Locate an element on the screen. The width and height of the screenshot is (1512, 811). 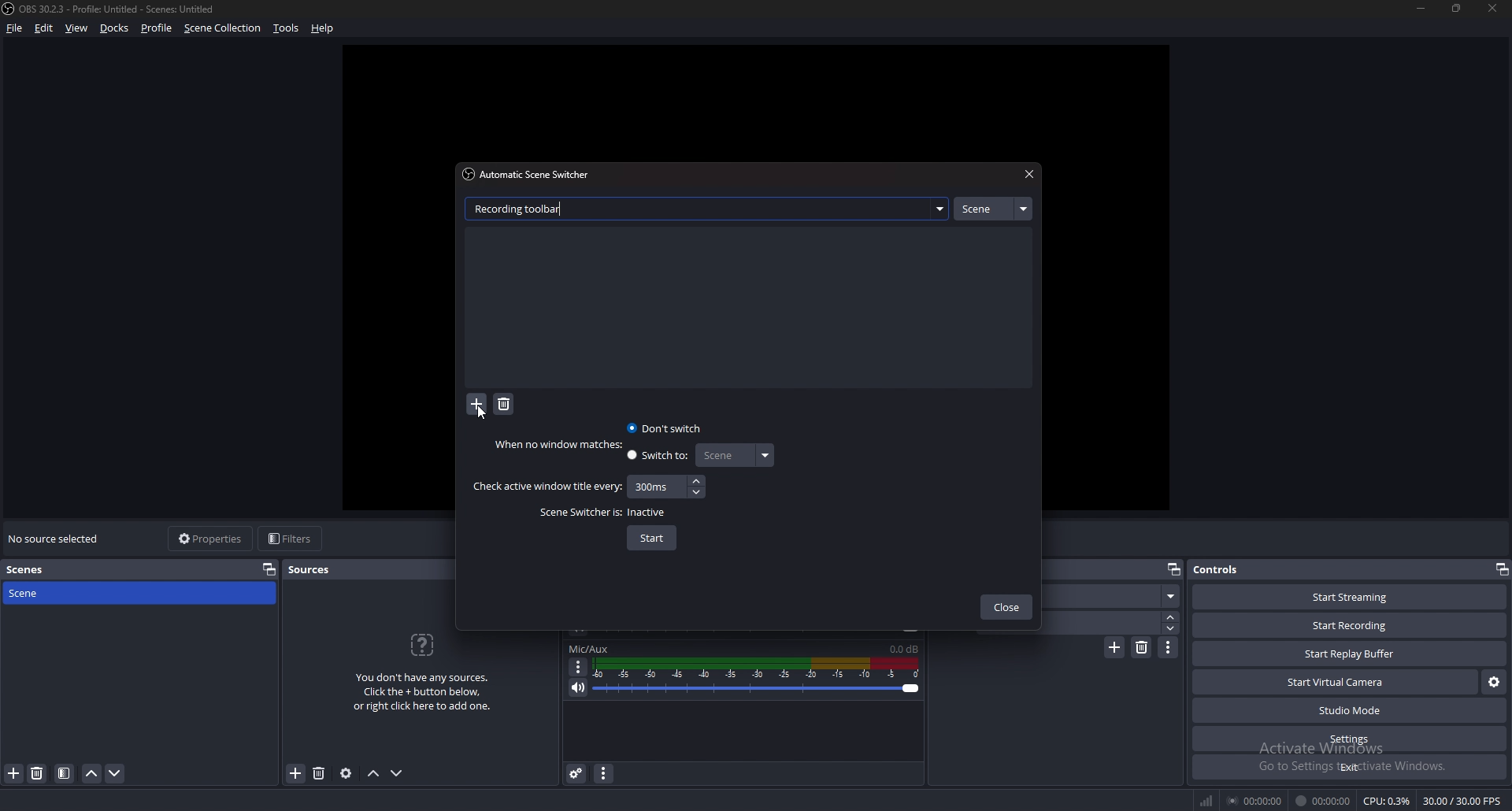
start replay buffer is located at coordinates (1351, 654).